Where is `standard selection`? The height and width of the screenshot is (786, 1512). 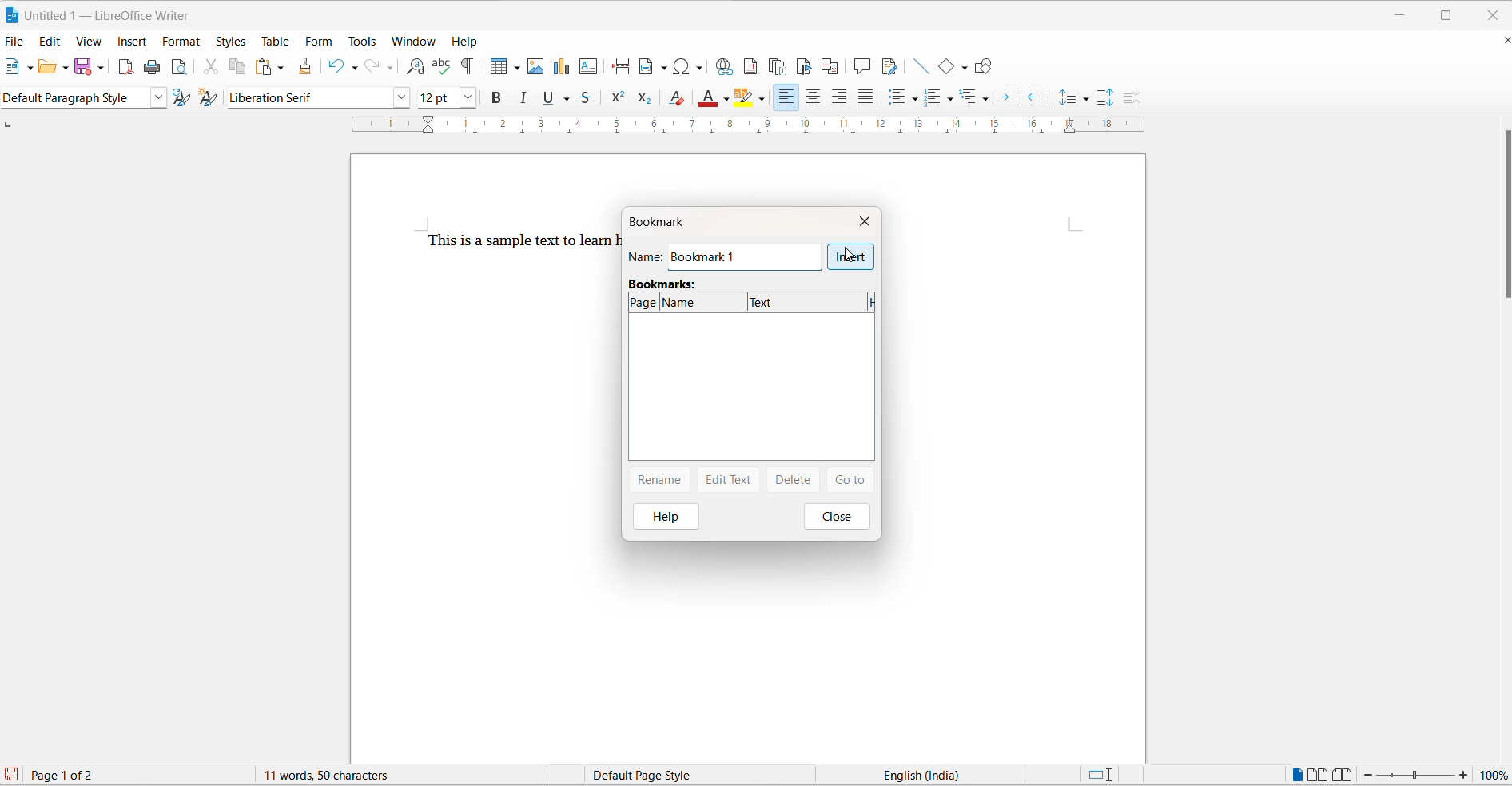 standard selection is located at coordinates (1100, 776).